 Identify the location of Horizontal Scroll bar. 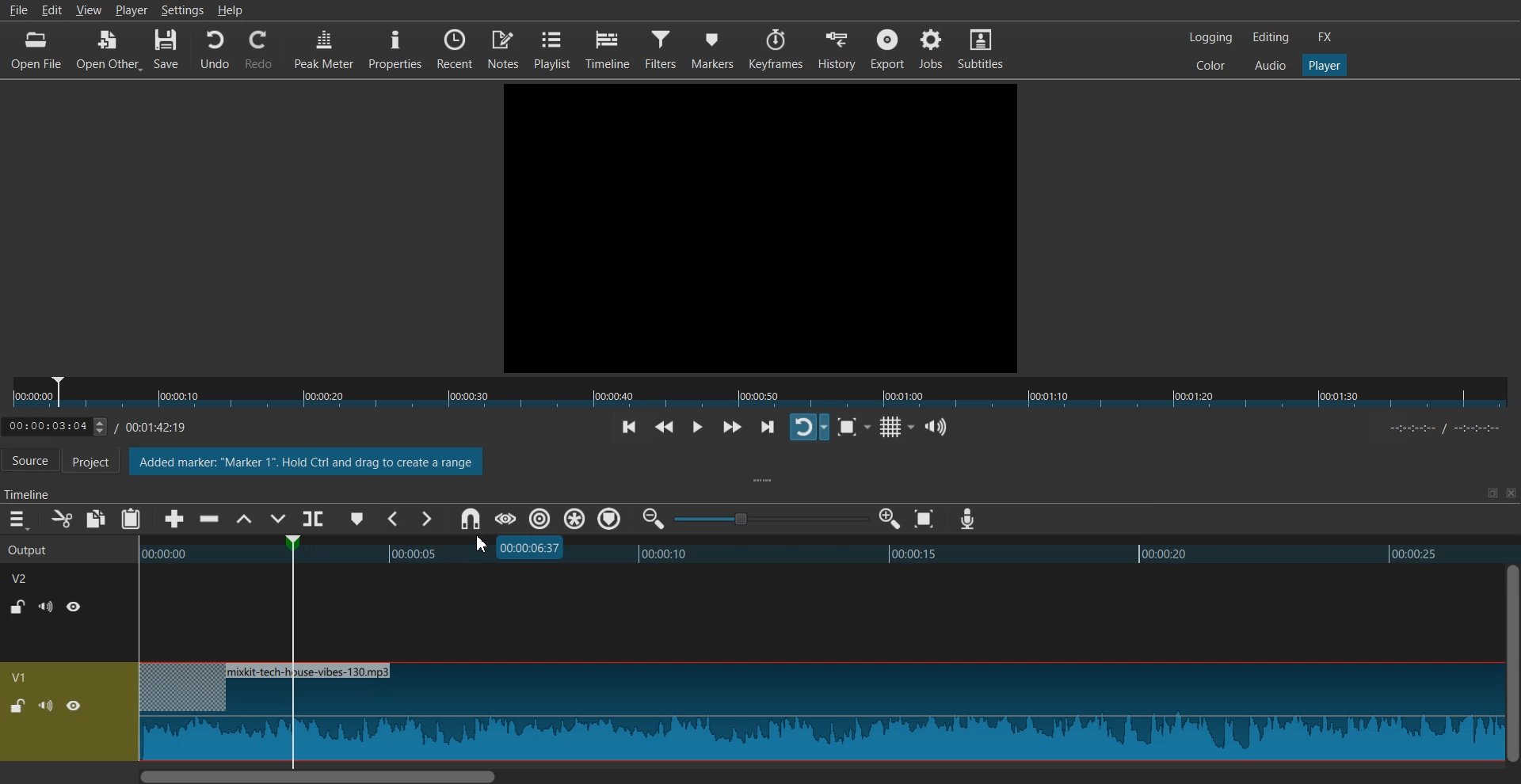
(818, 775).